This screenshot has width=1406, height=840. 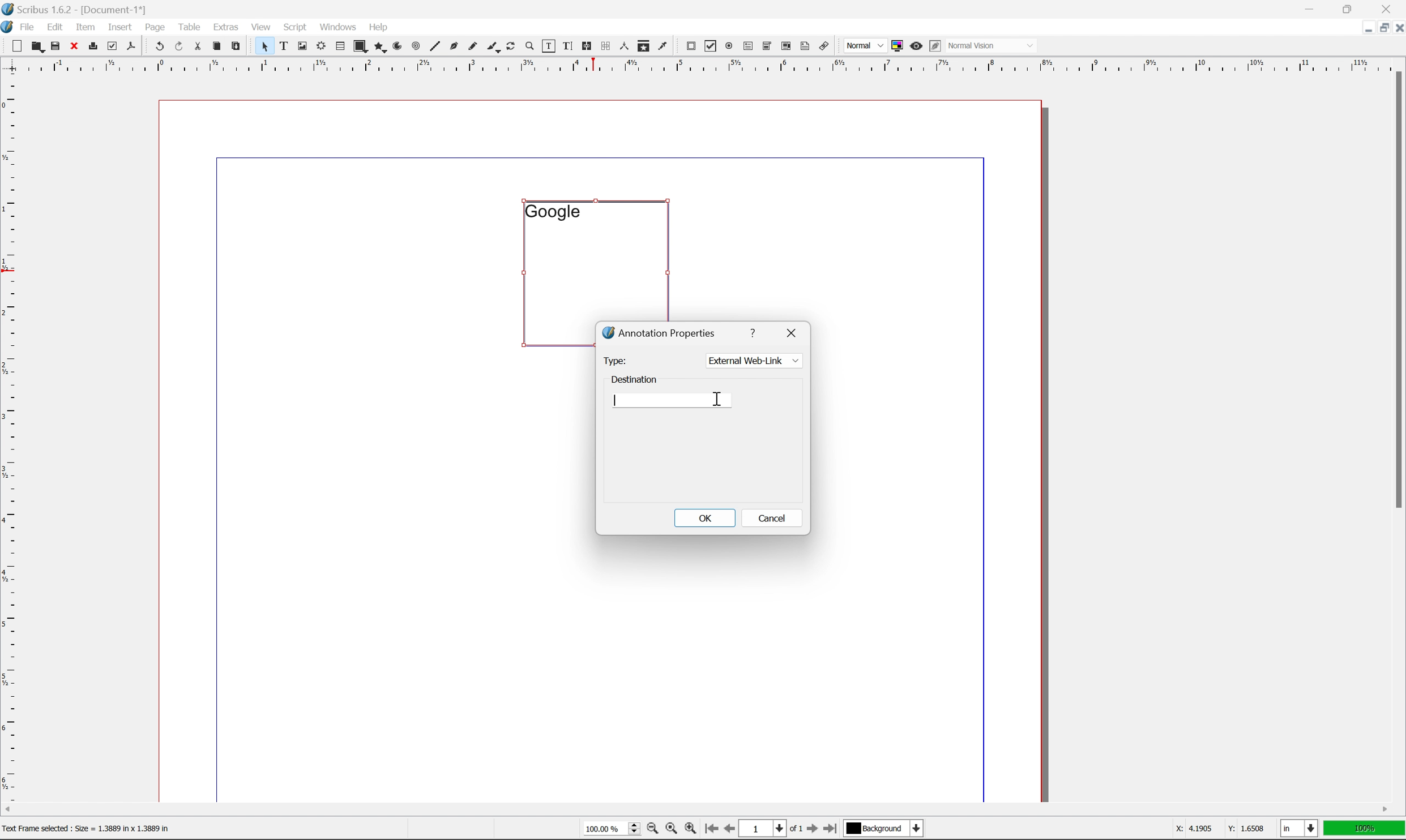 What do you see at coordinates (381, 48) in the screenshot?
I see `polygon` at bounding box center [381, 48].